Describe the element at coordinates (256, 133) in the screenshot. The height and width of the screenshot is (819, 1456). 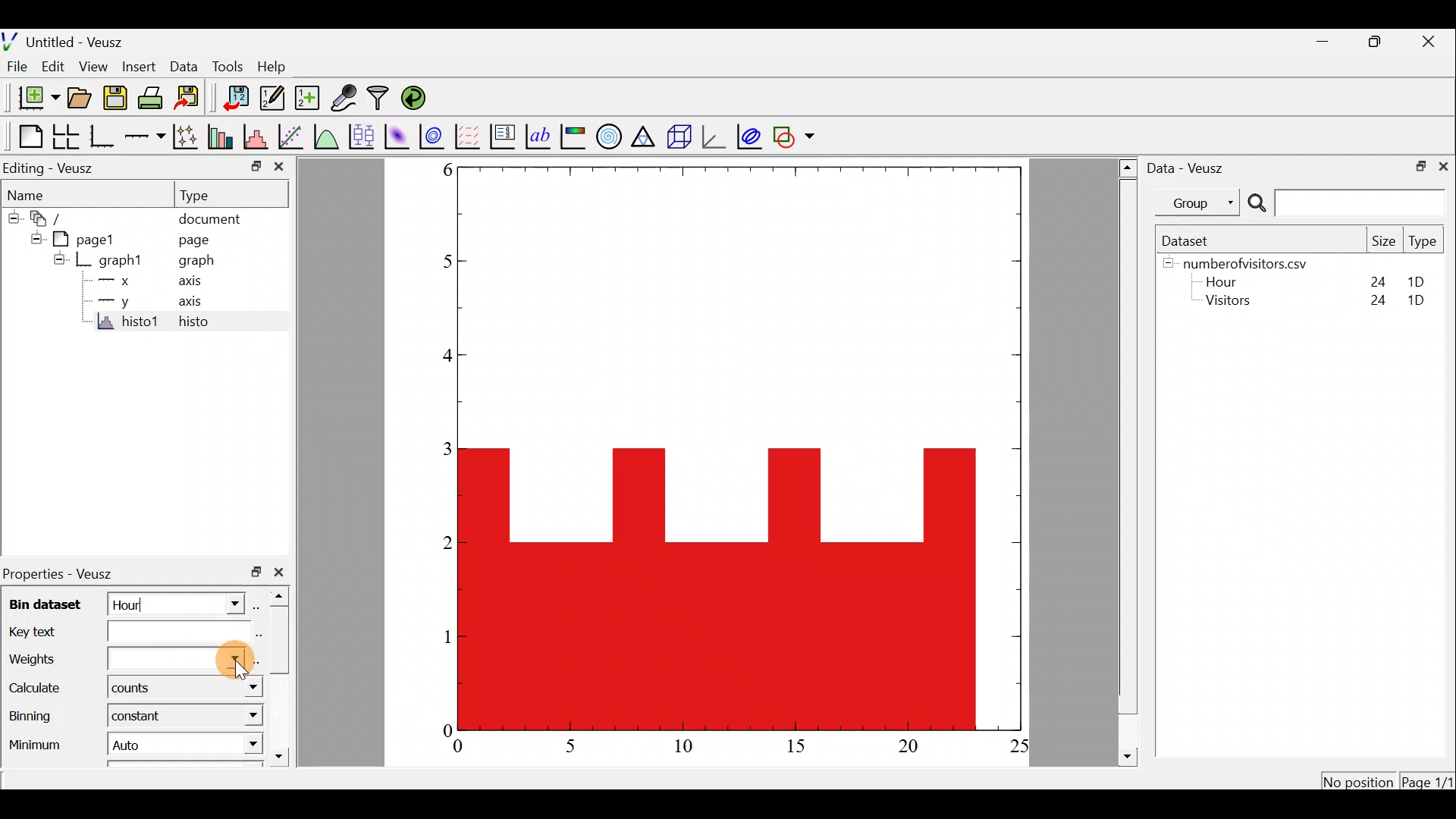
I see `histogram of a dataset` at that location.